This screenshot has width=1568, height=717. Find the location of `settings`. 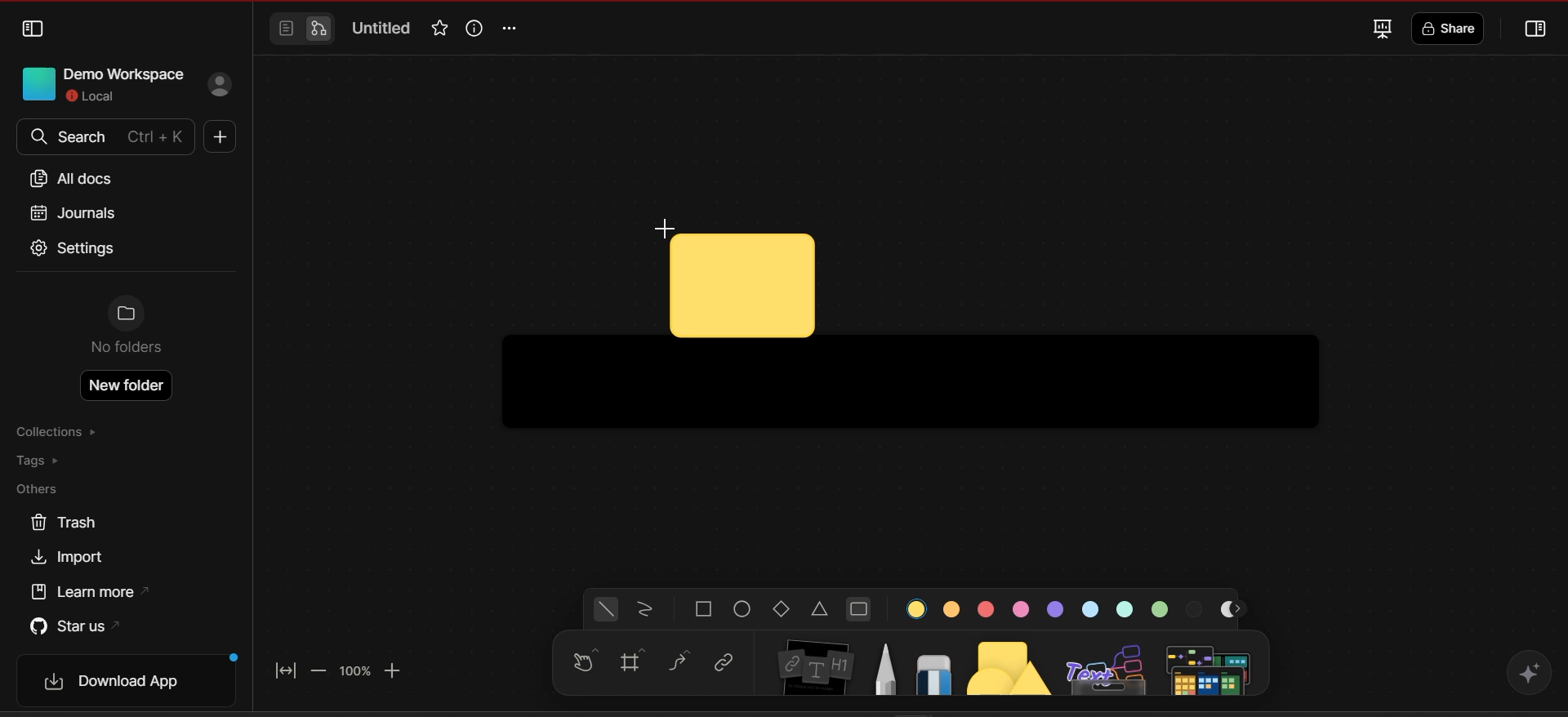

settings is located at coordinates (74, 250).